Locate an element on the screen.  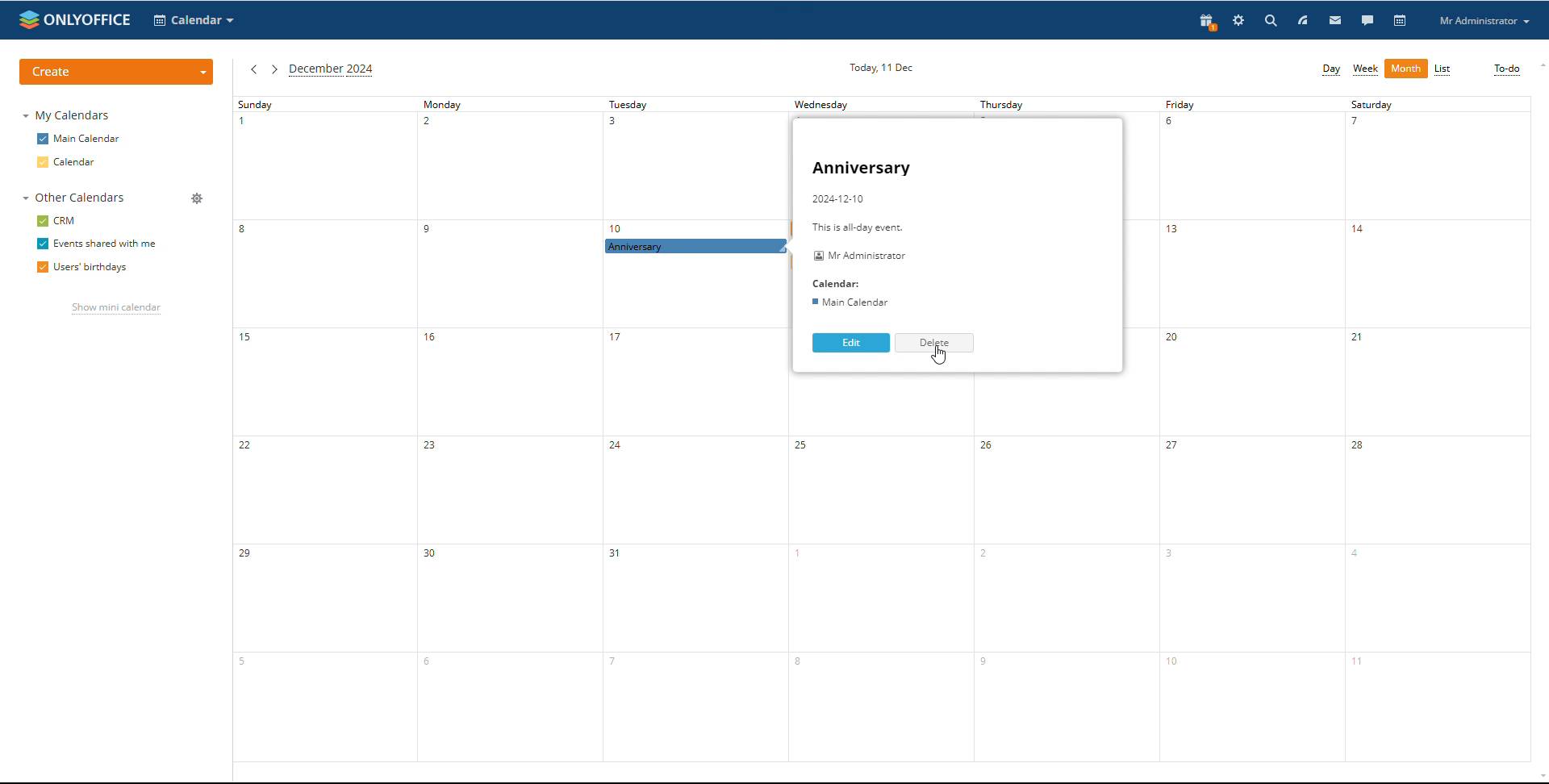
to-do is located at coordinates (1507, 70).